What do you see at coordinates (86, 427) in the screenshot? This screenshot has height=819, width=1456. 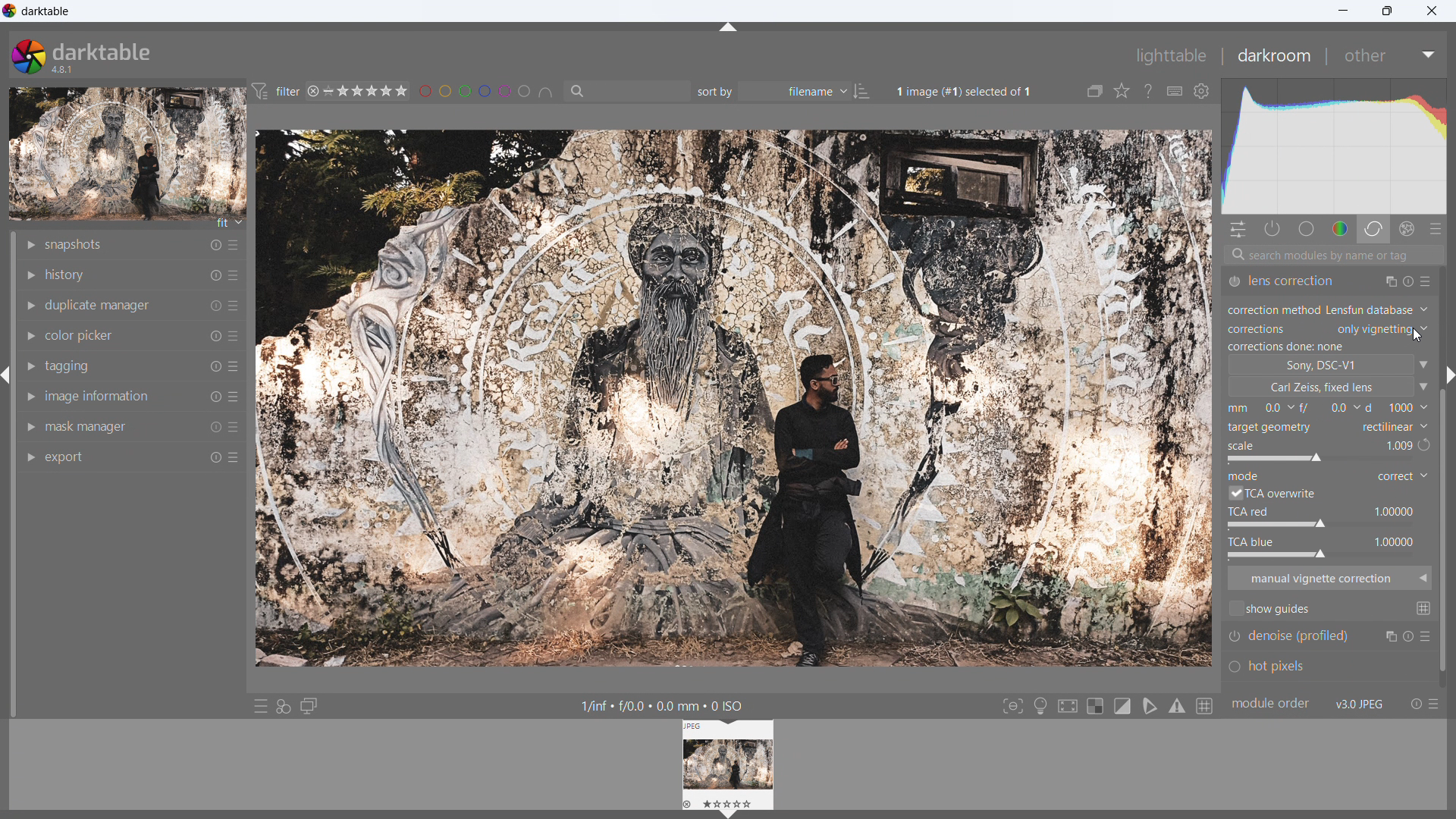 I see `mask manager` at bounding box center [86, 427].